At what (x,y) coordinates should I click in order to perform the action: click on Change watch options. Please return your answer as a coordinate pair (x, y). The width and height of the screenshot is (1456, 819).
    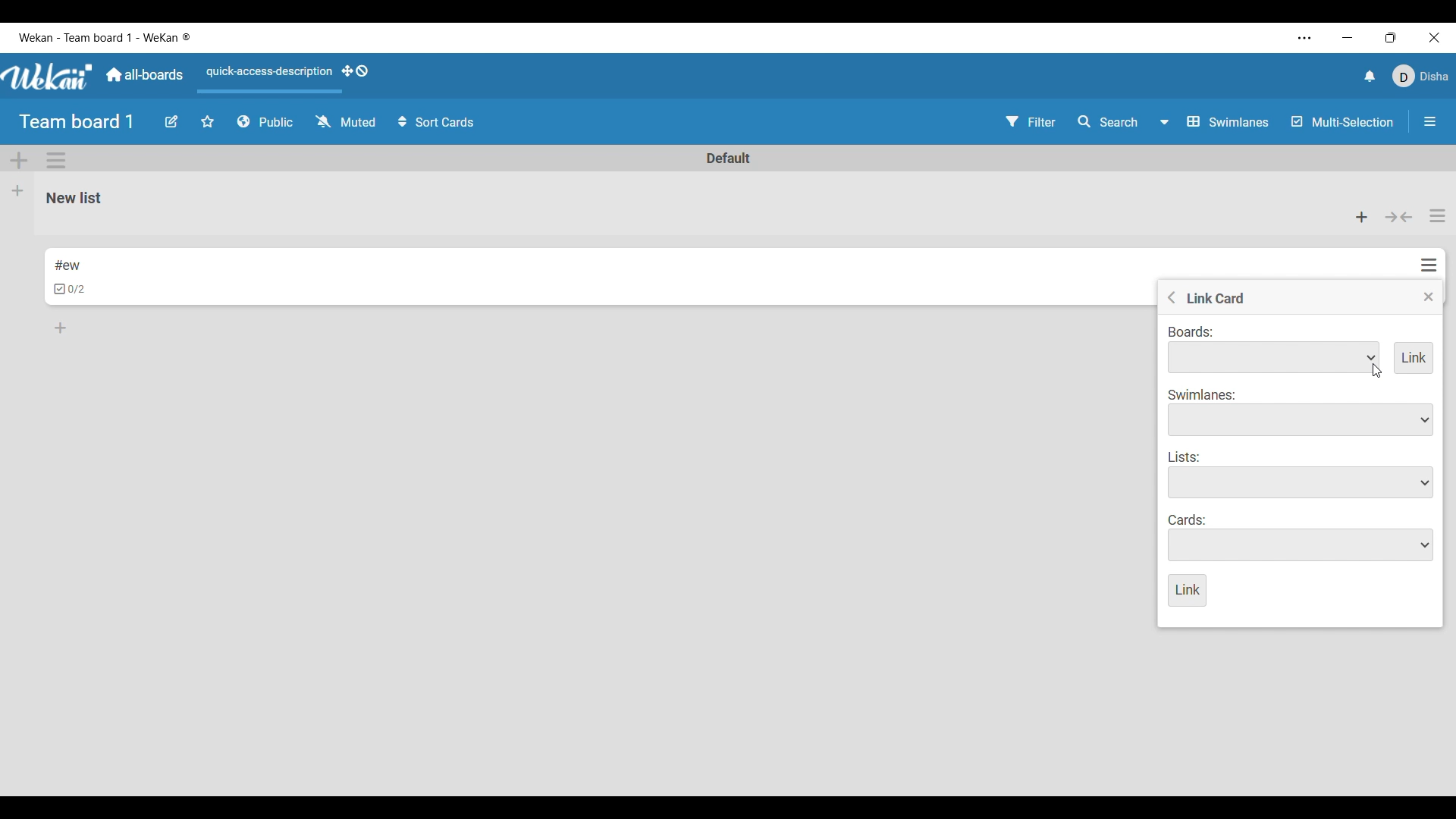
    Looking at the image, I should click on (345, 121).